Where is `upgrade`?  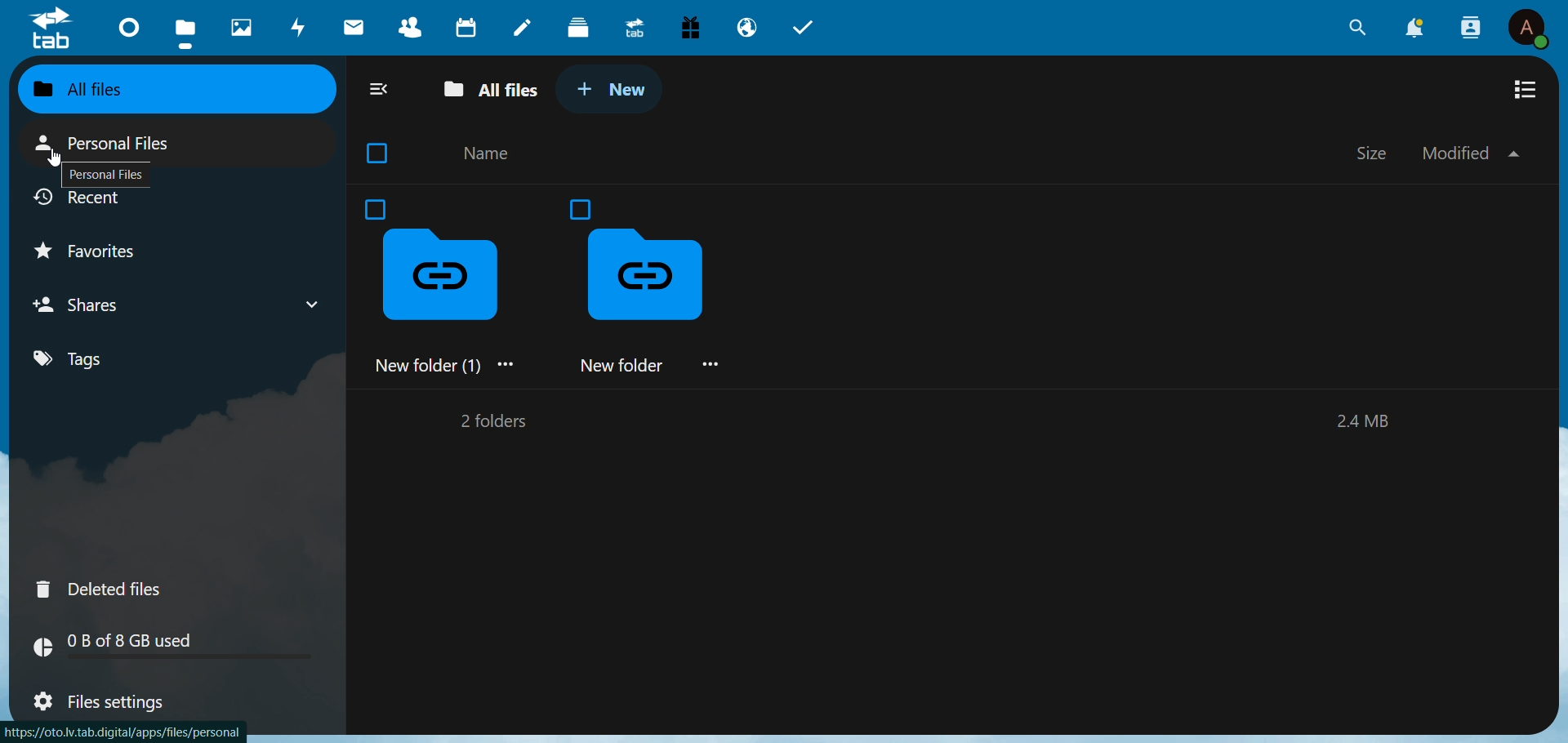
upgrade is located at coordinates (633, 29).